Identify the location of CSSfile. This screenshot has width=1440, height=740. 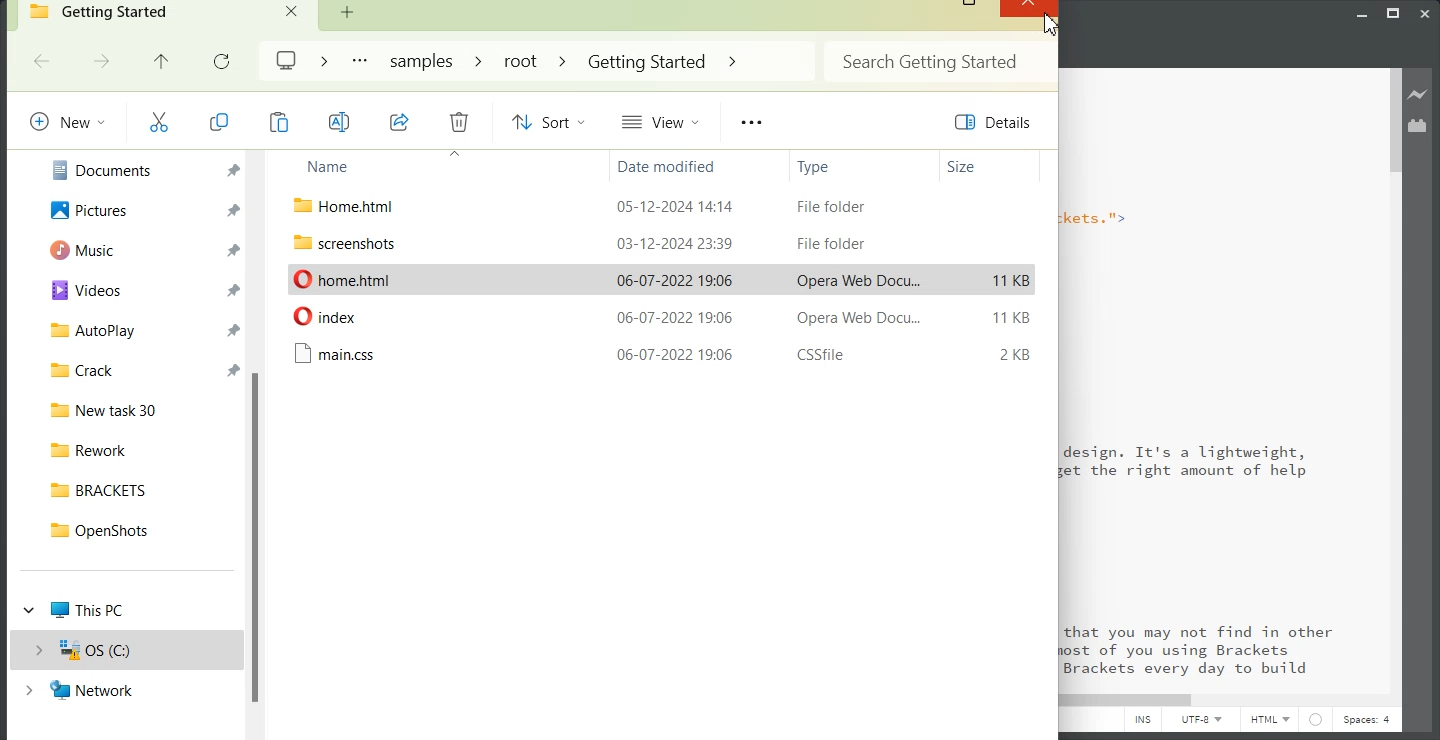
(826, 206).